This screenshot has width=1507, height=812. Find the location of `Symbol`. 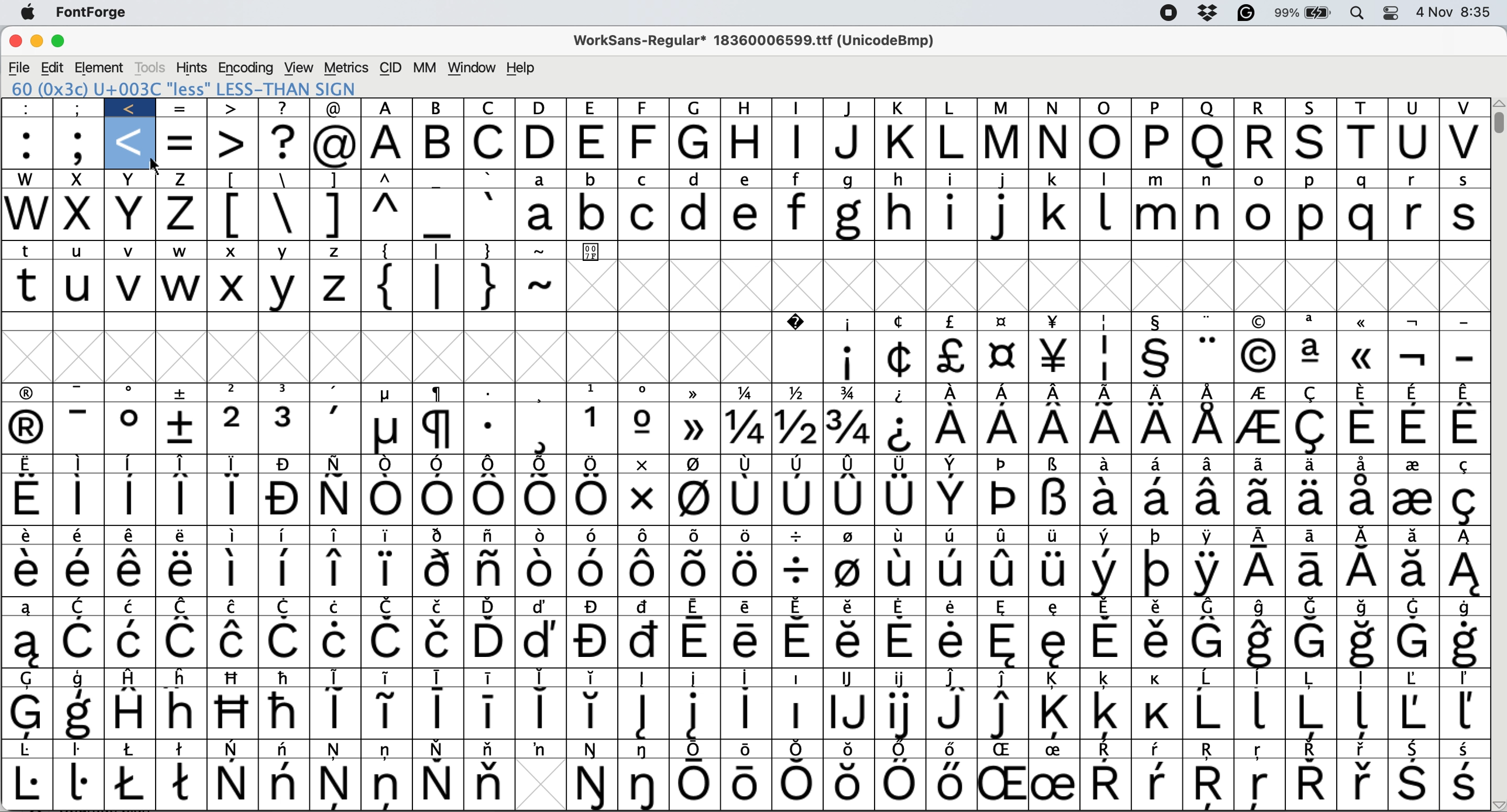

Symbol is located at coordinates (81, 783).